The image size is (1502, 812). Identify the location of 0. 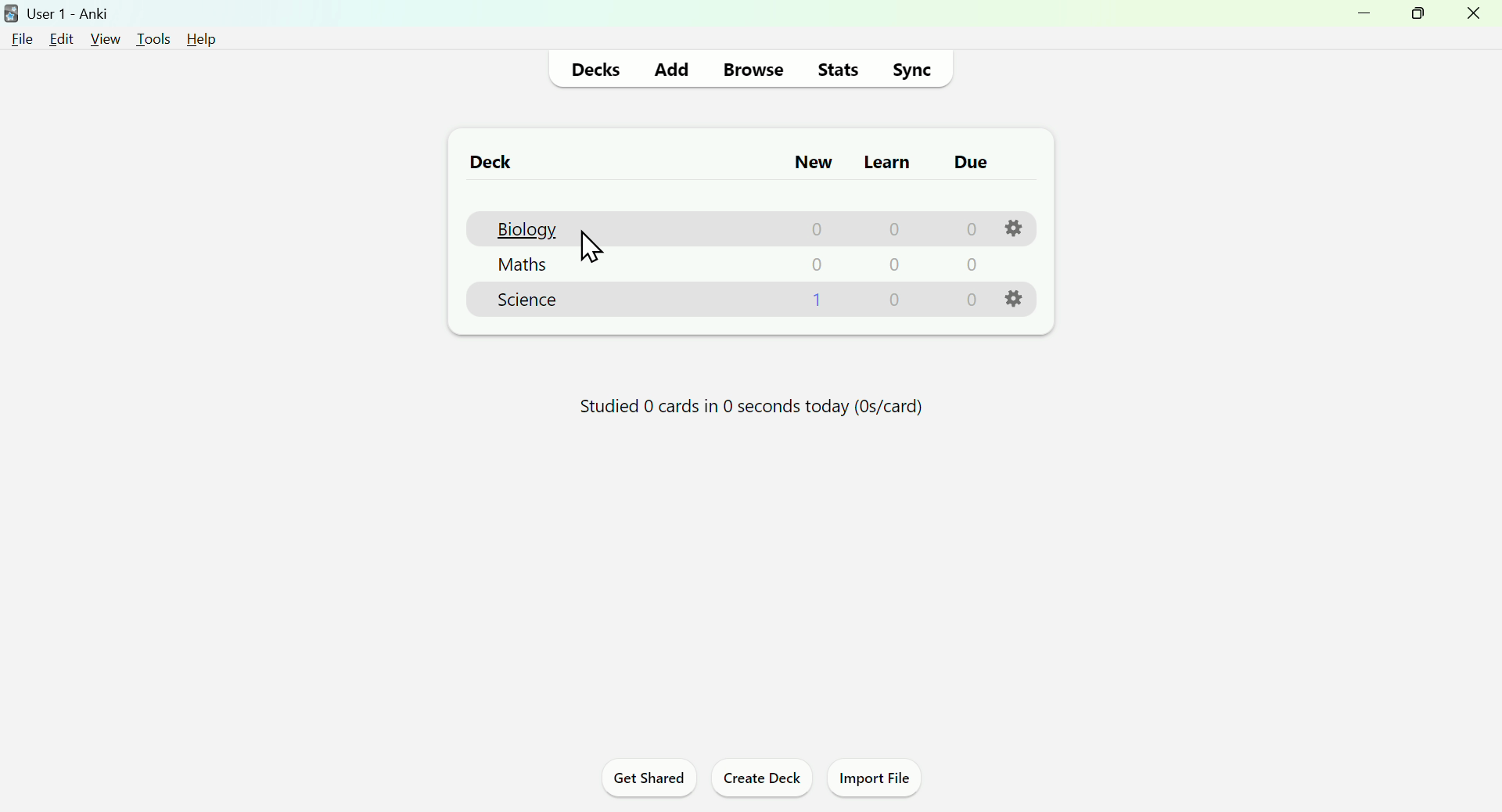
(810, 230).